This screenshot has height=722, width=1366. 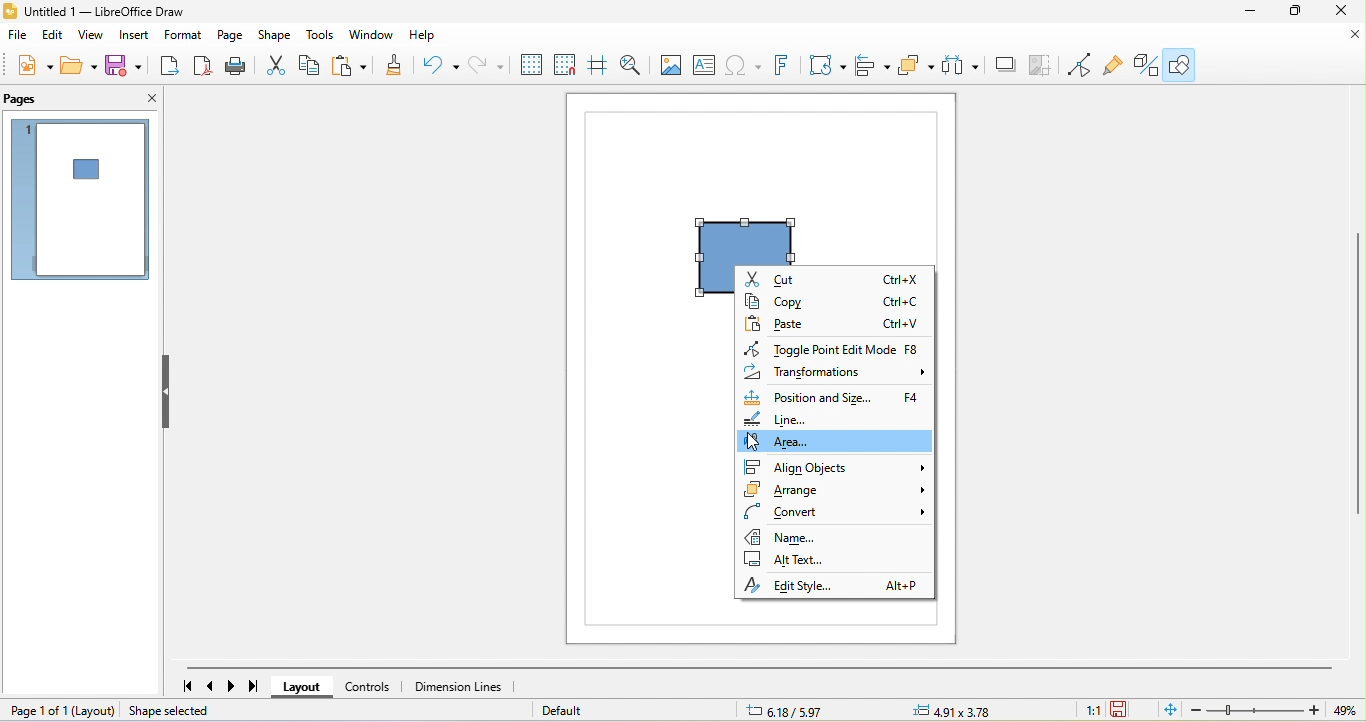 I want to click on new , so click(x=34, y=62).